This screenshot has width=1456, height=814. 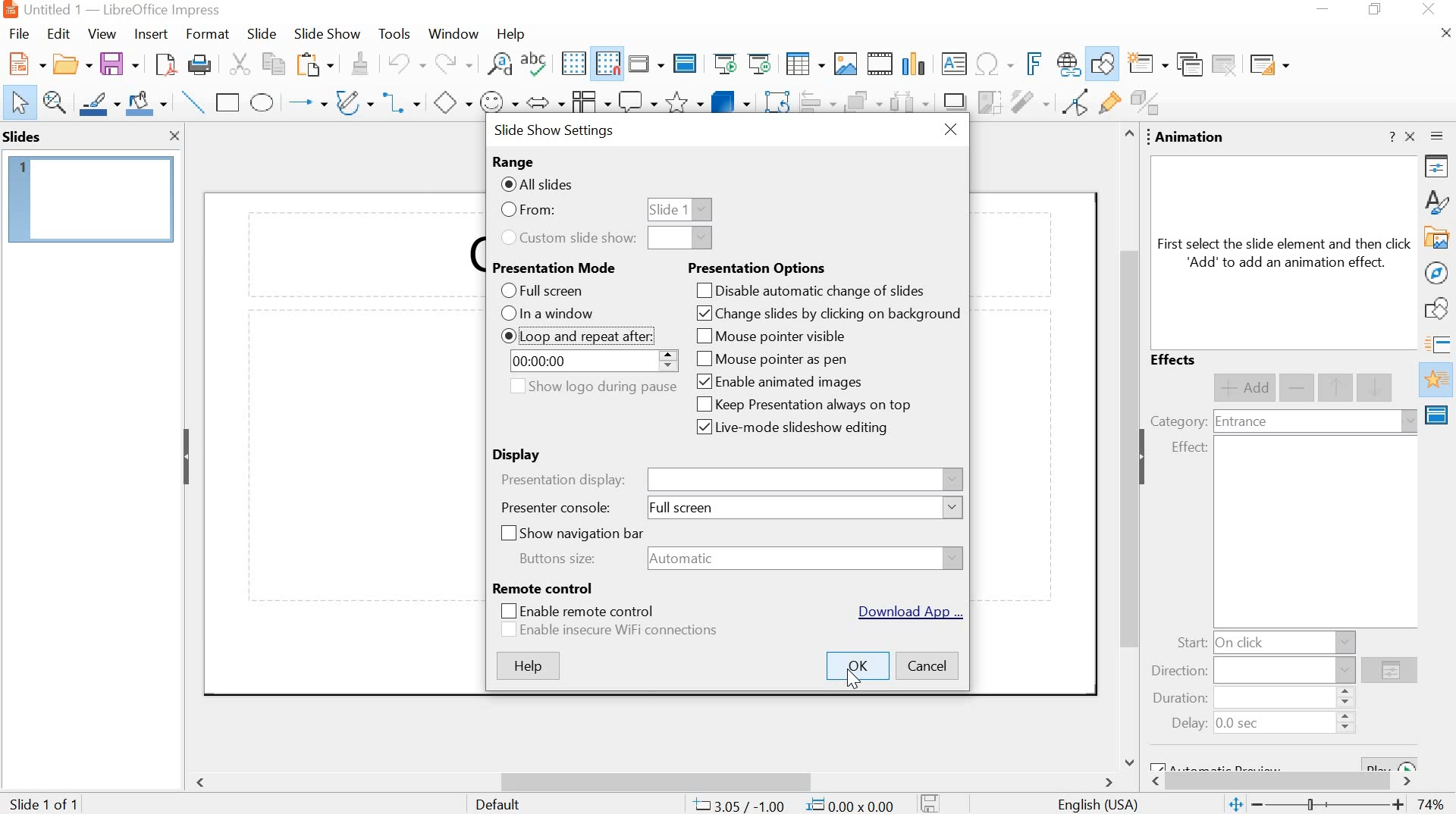 What do you see at coordinates (1439, 415) in the screenshot?
I see `master slides` at bounding box center [1439, 415].